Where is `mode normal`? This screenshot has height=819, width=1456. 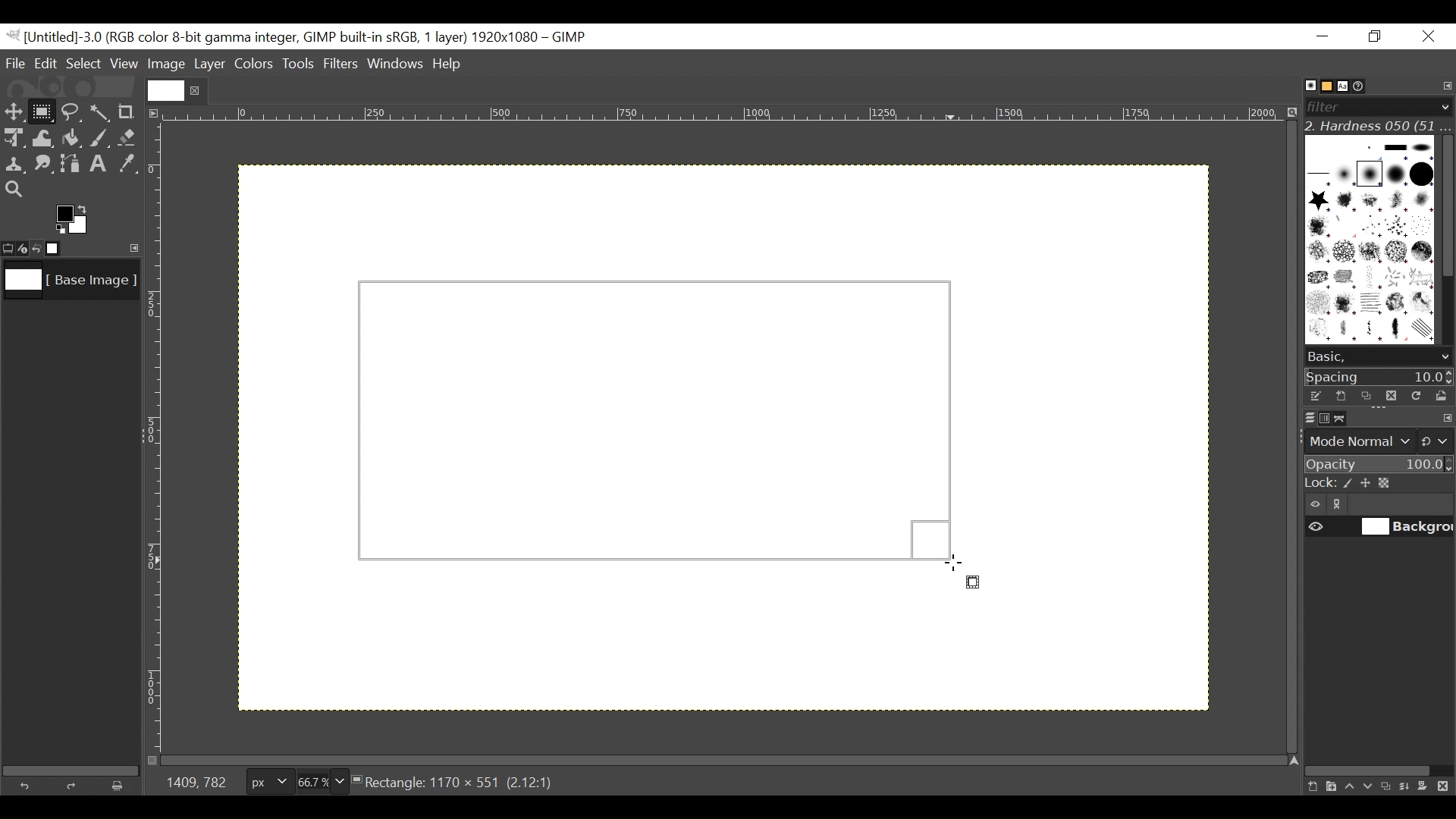 mode normal is located at coordinates (1377, 440).